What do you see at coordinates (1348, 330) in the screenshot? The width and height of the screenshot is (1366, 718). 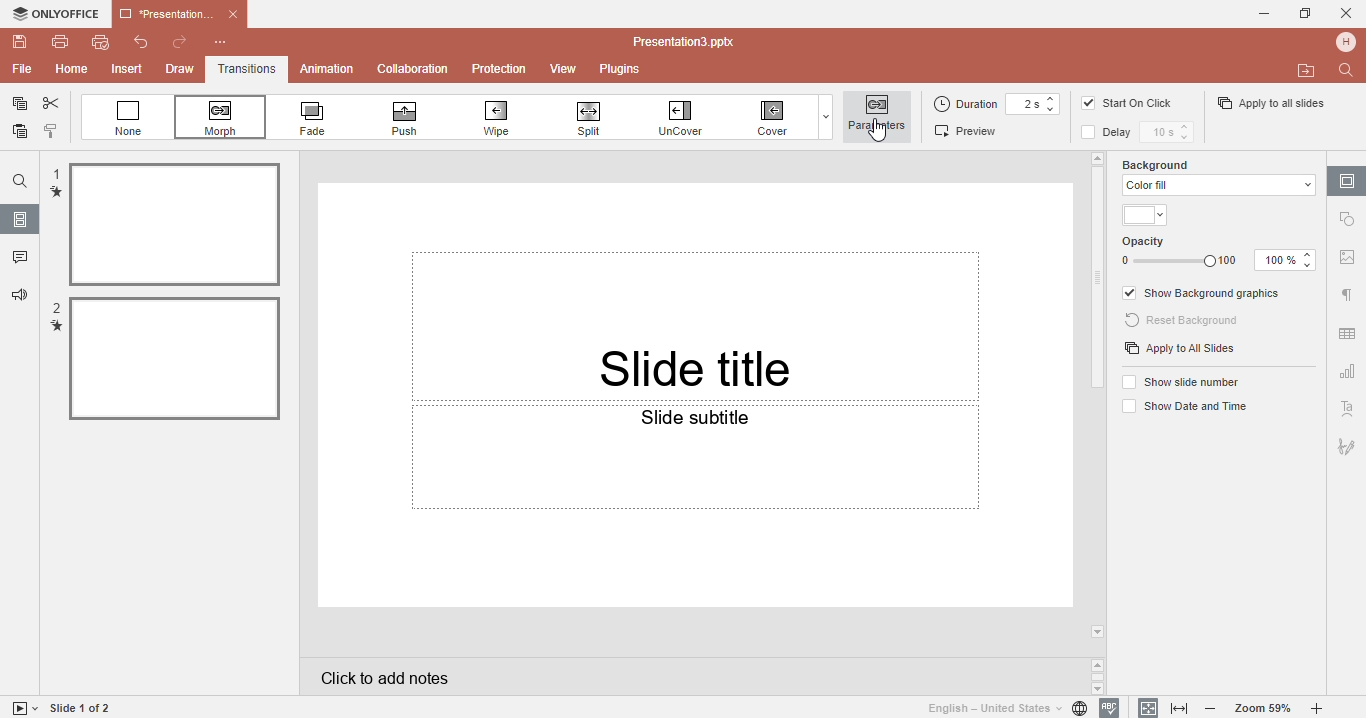 I see `Table setting` at bounding box center [1348, 330].